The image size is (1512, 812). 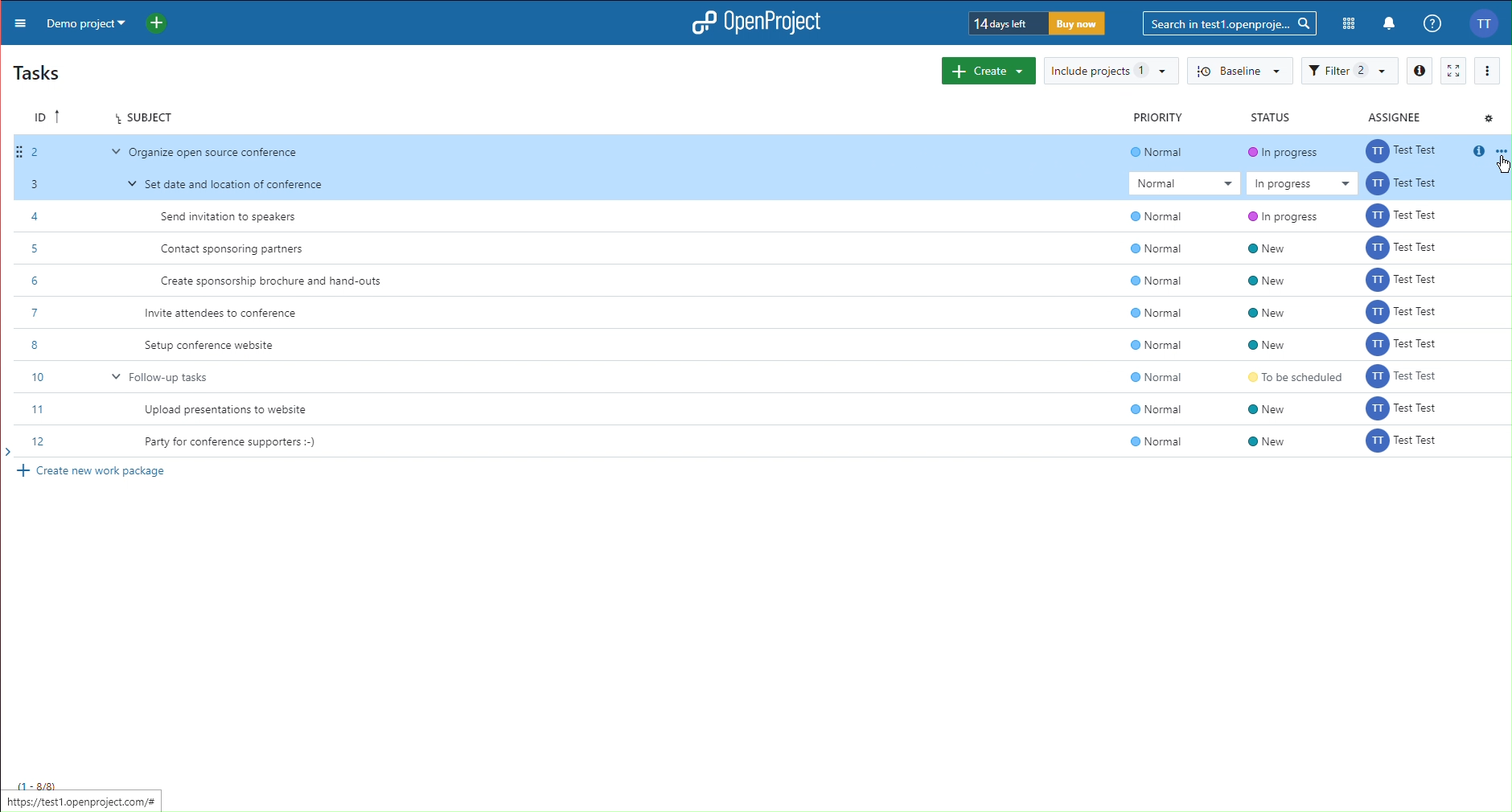 What do you see at coordinates (86, 22) in the screenshot?
I see `Demo project` at bounding box center [86, 22].